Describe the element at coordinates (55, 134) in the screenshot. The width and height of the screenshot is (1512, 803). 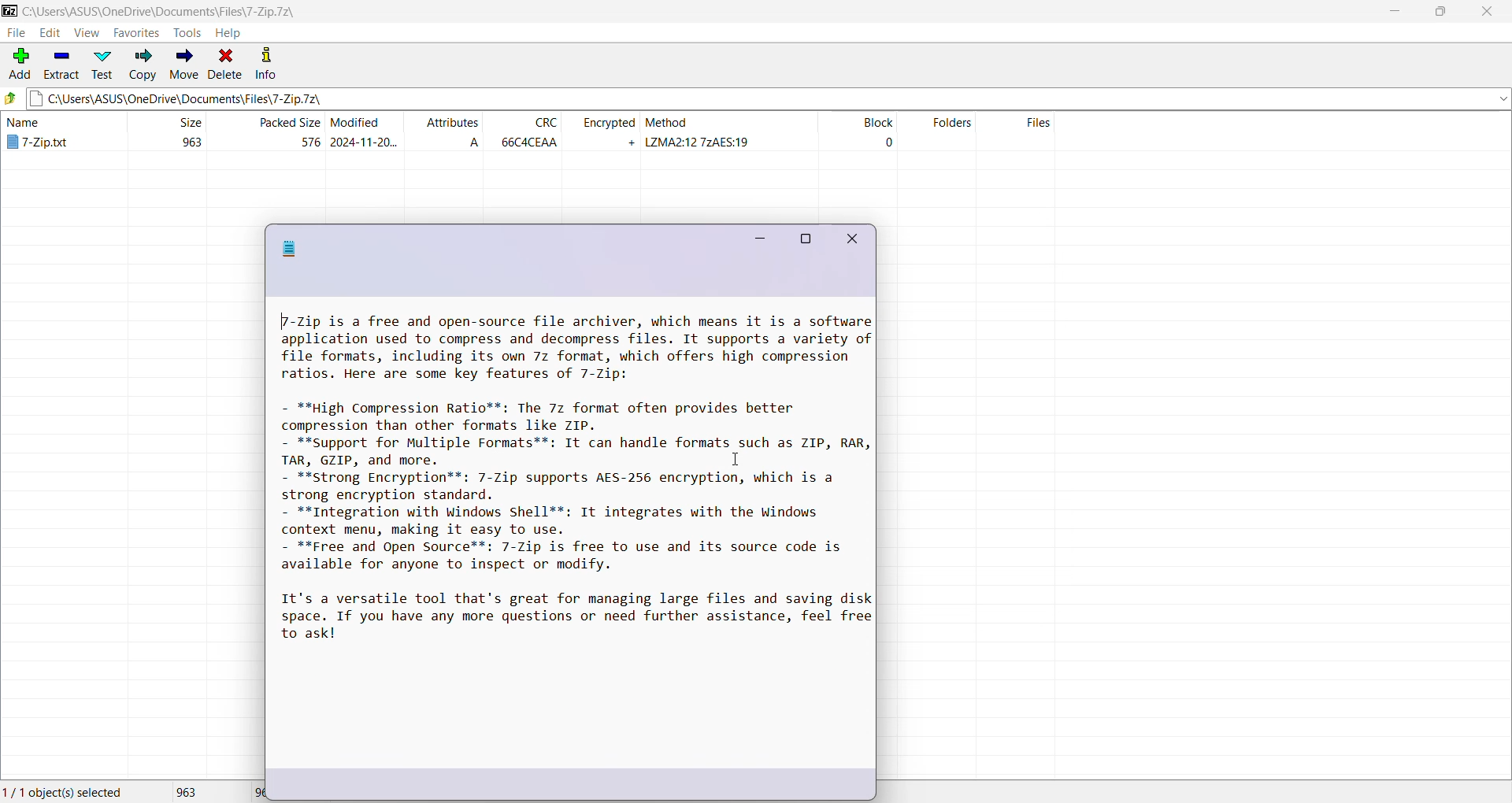
I see `Password protected archive file` at that location.